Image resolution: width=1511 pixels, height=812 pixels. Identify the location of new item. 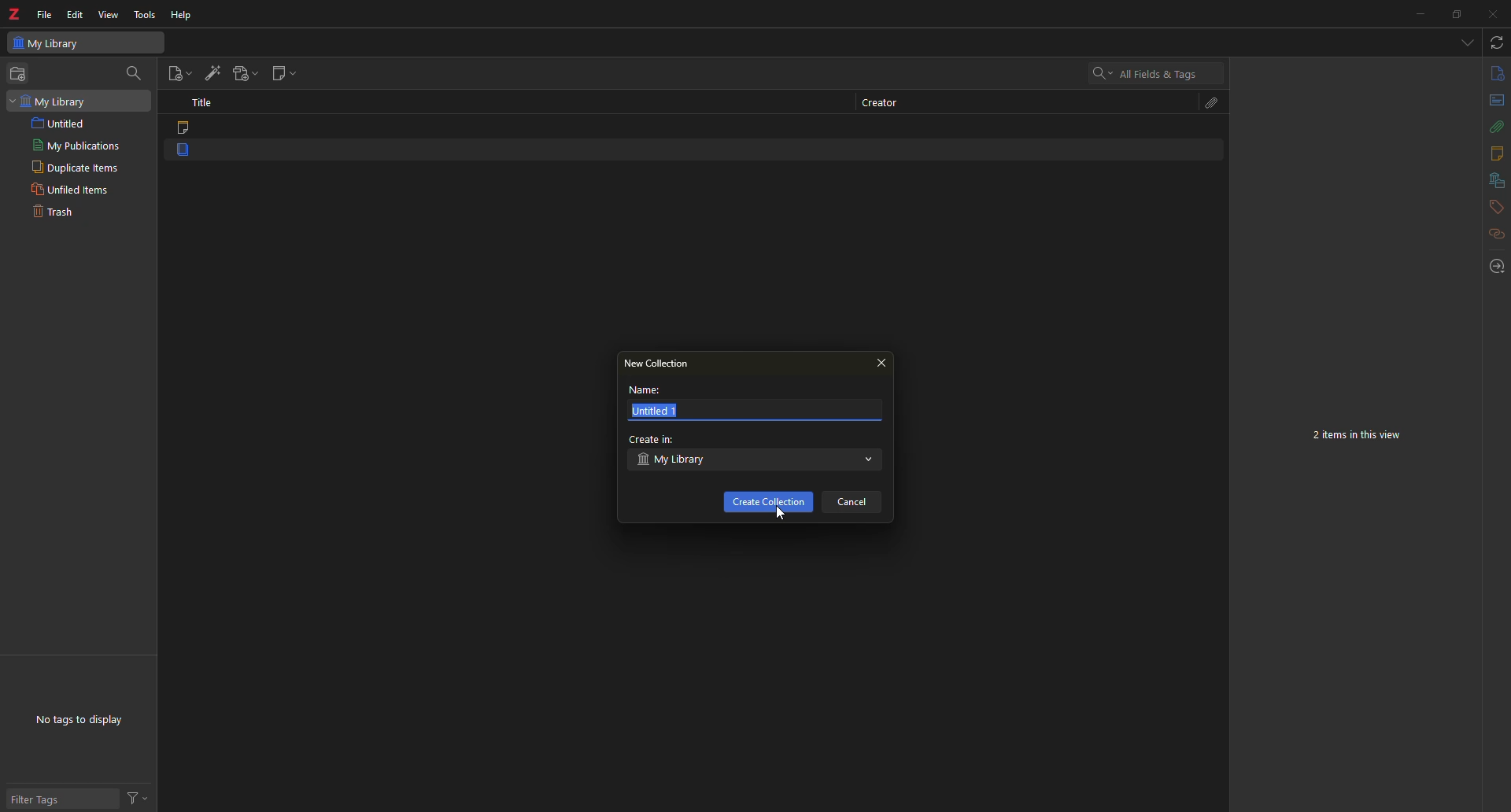
(179, 73).